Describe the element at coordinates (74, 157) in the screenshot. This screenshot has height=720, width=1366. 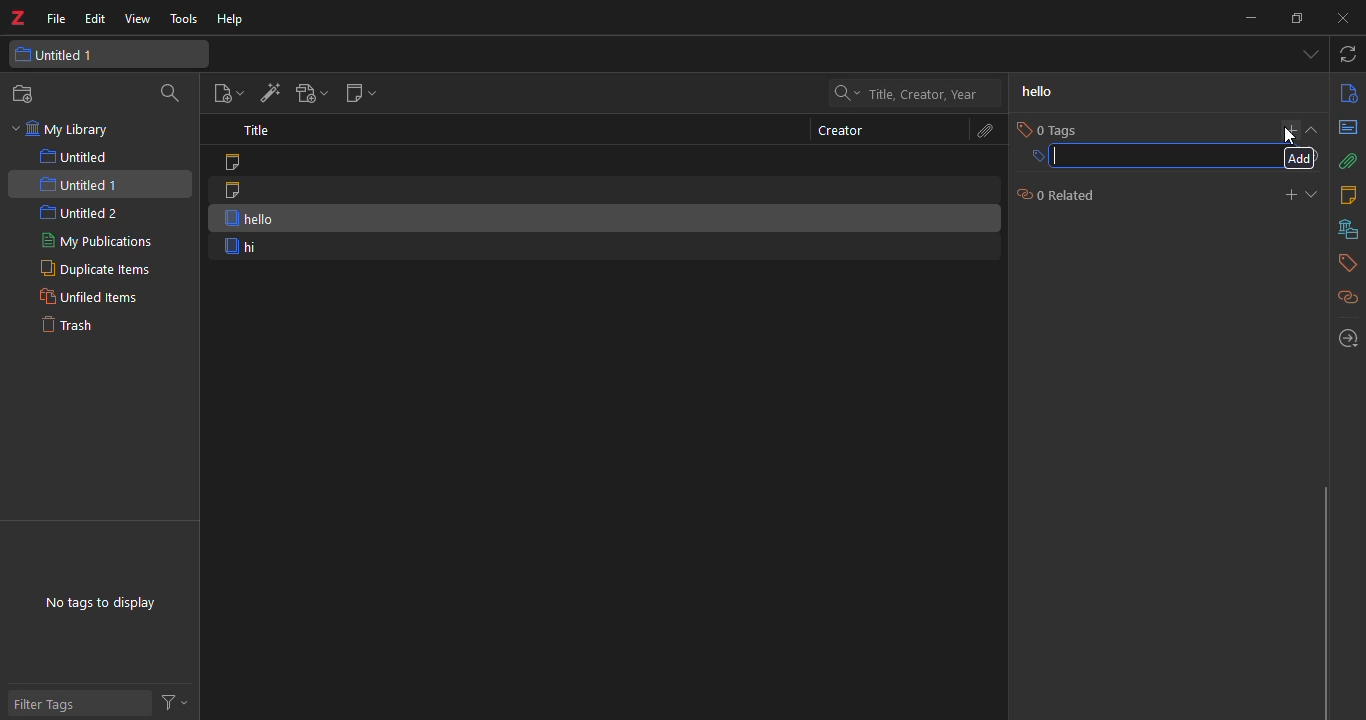
I see `untitled` at that location.